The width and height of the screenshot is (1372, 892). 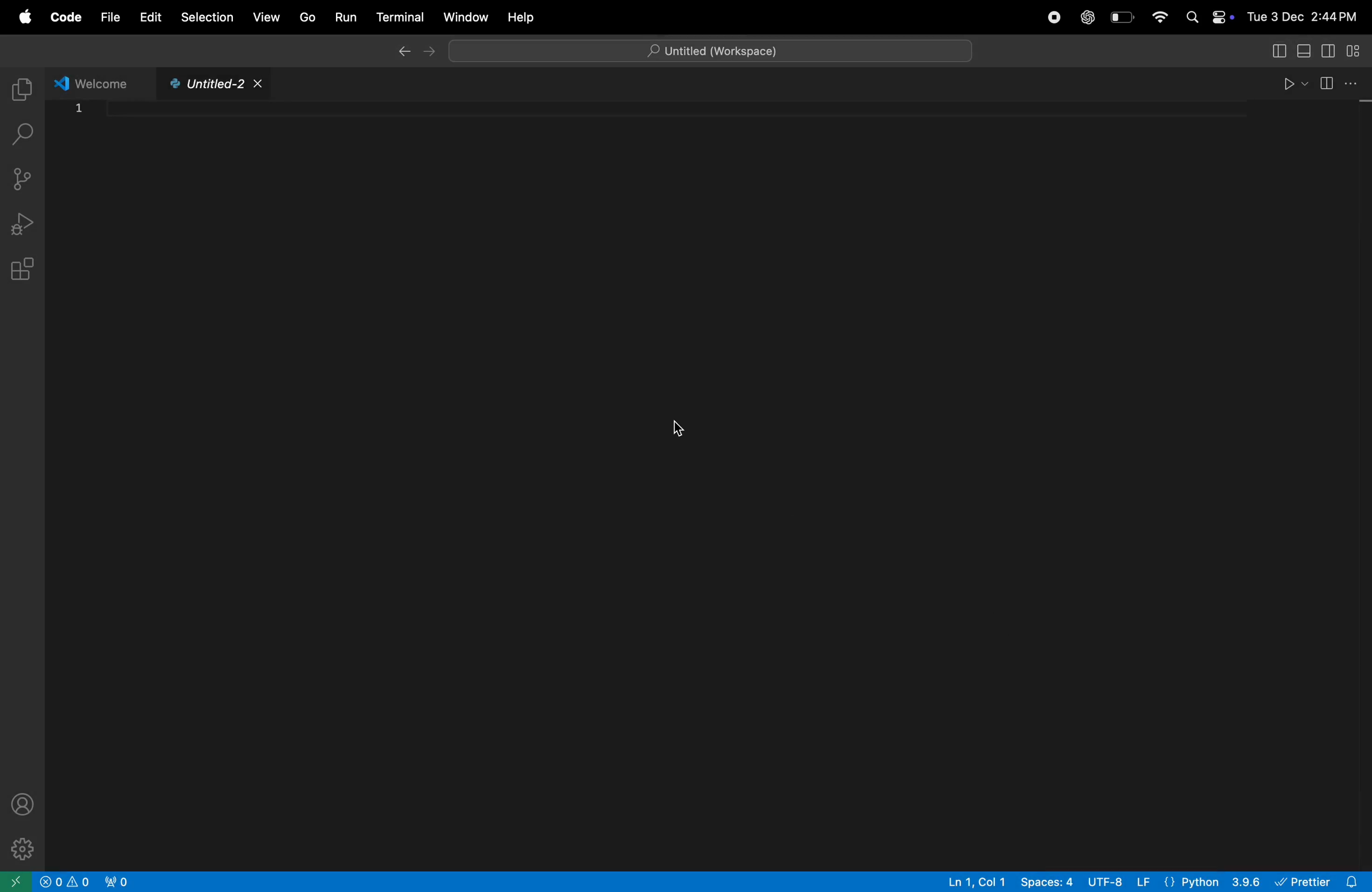 I want to click on selection, so click(x=208, y=17).